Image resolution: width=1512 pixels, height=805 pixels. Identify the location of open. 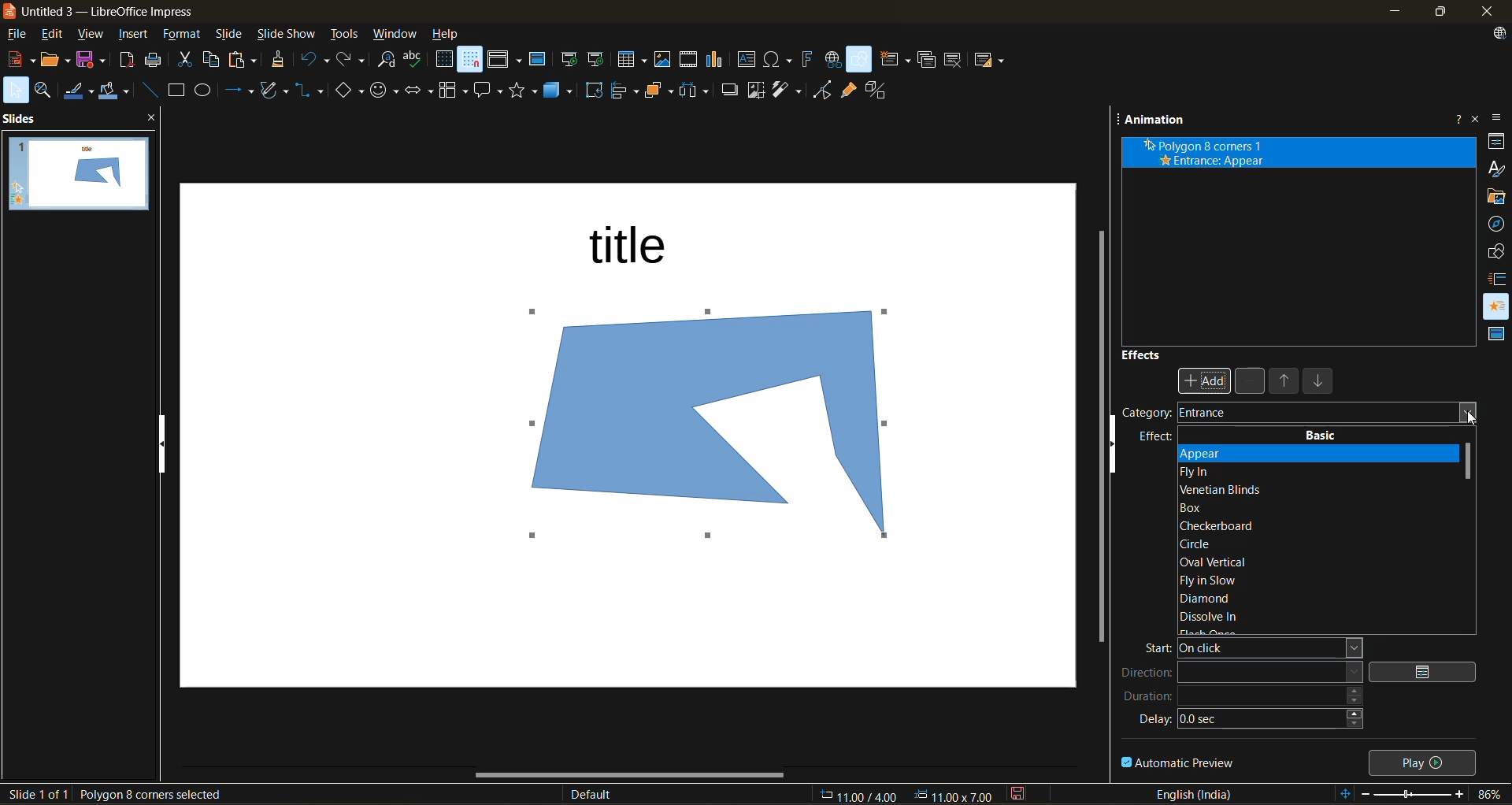
(52, 59).